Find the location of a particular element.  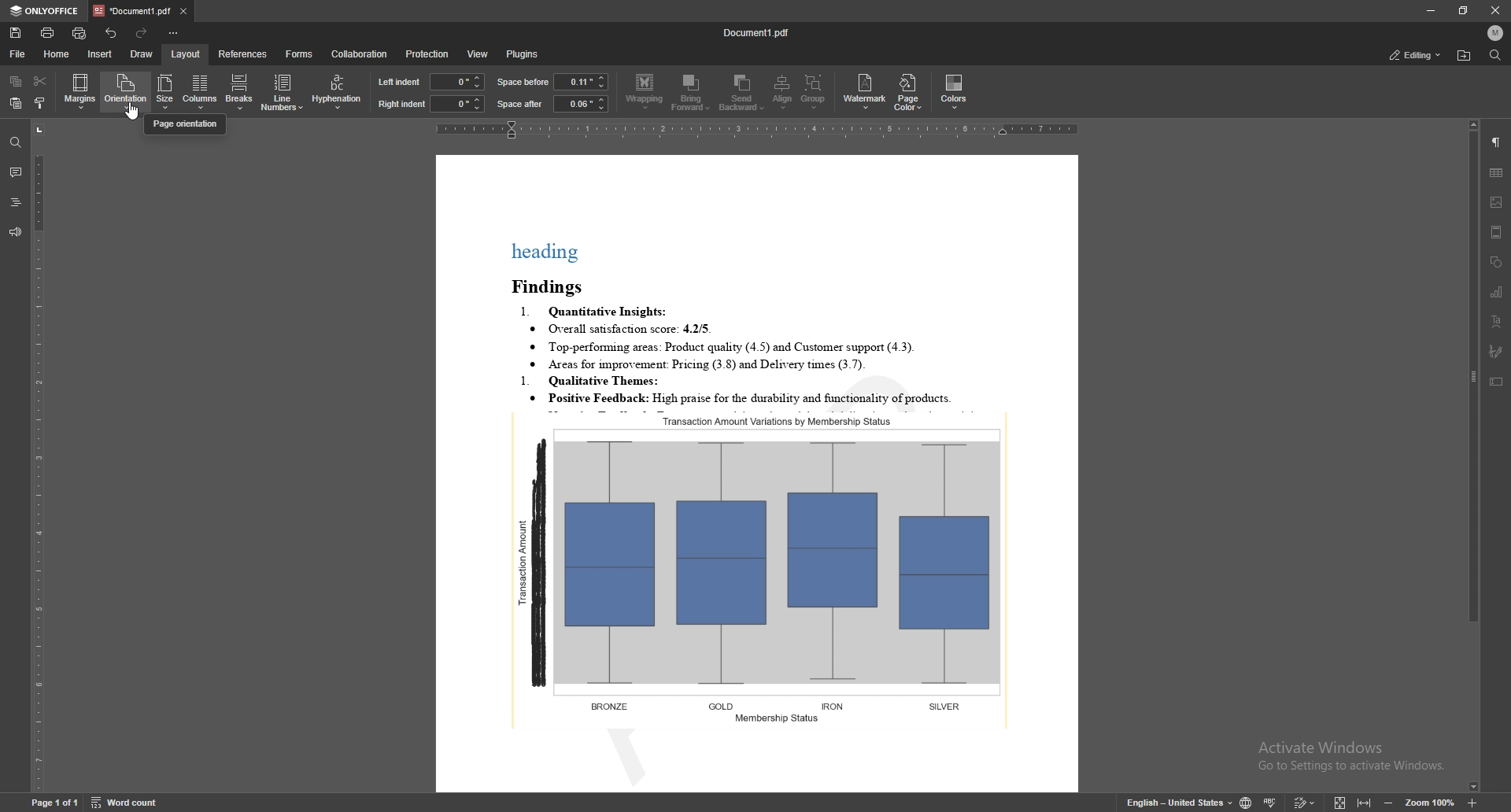

paste is located at coordinates (13, 103).